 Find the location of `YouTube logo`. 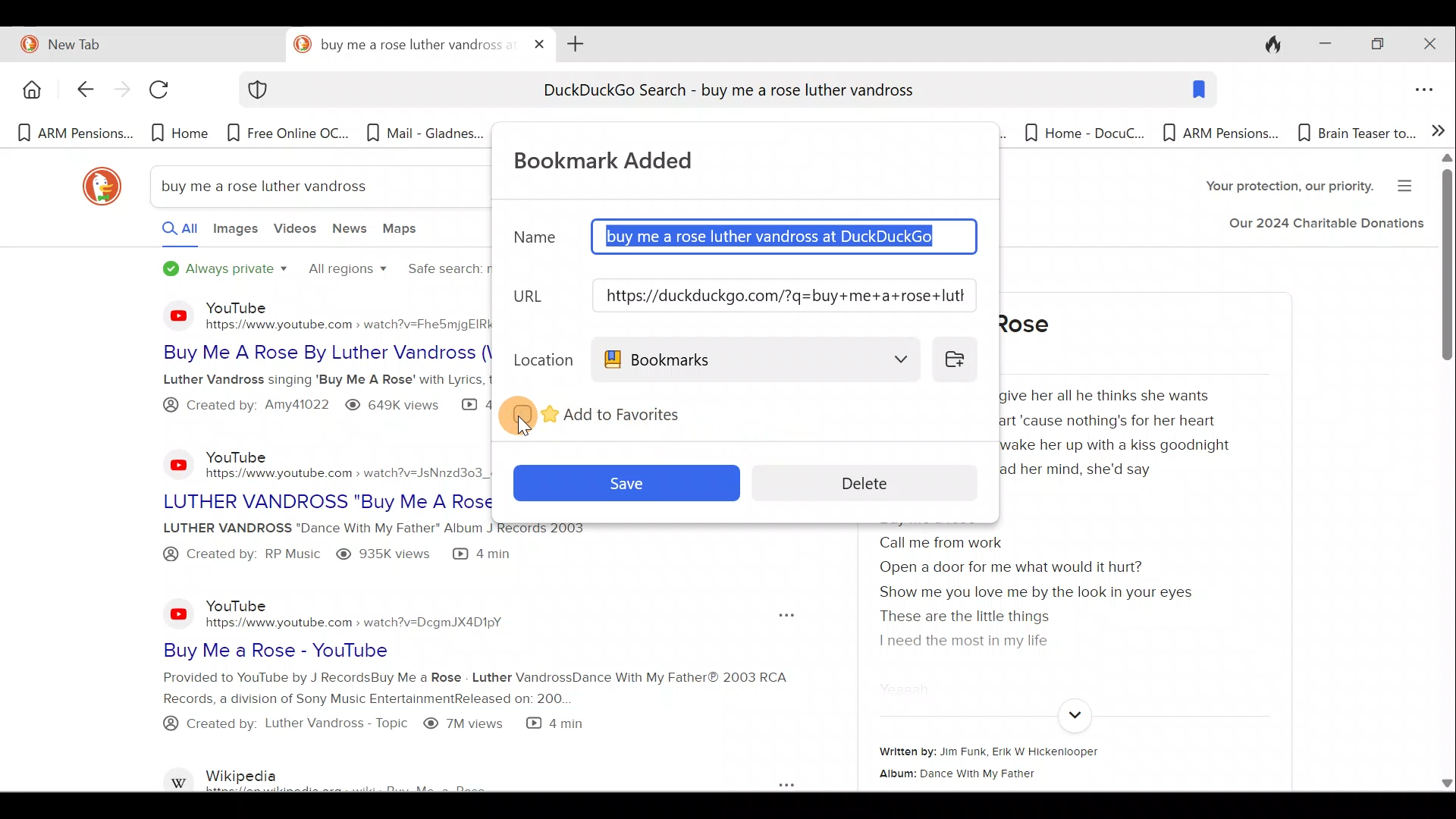

YouTube logo is located at coordinates (170, 464).